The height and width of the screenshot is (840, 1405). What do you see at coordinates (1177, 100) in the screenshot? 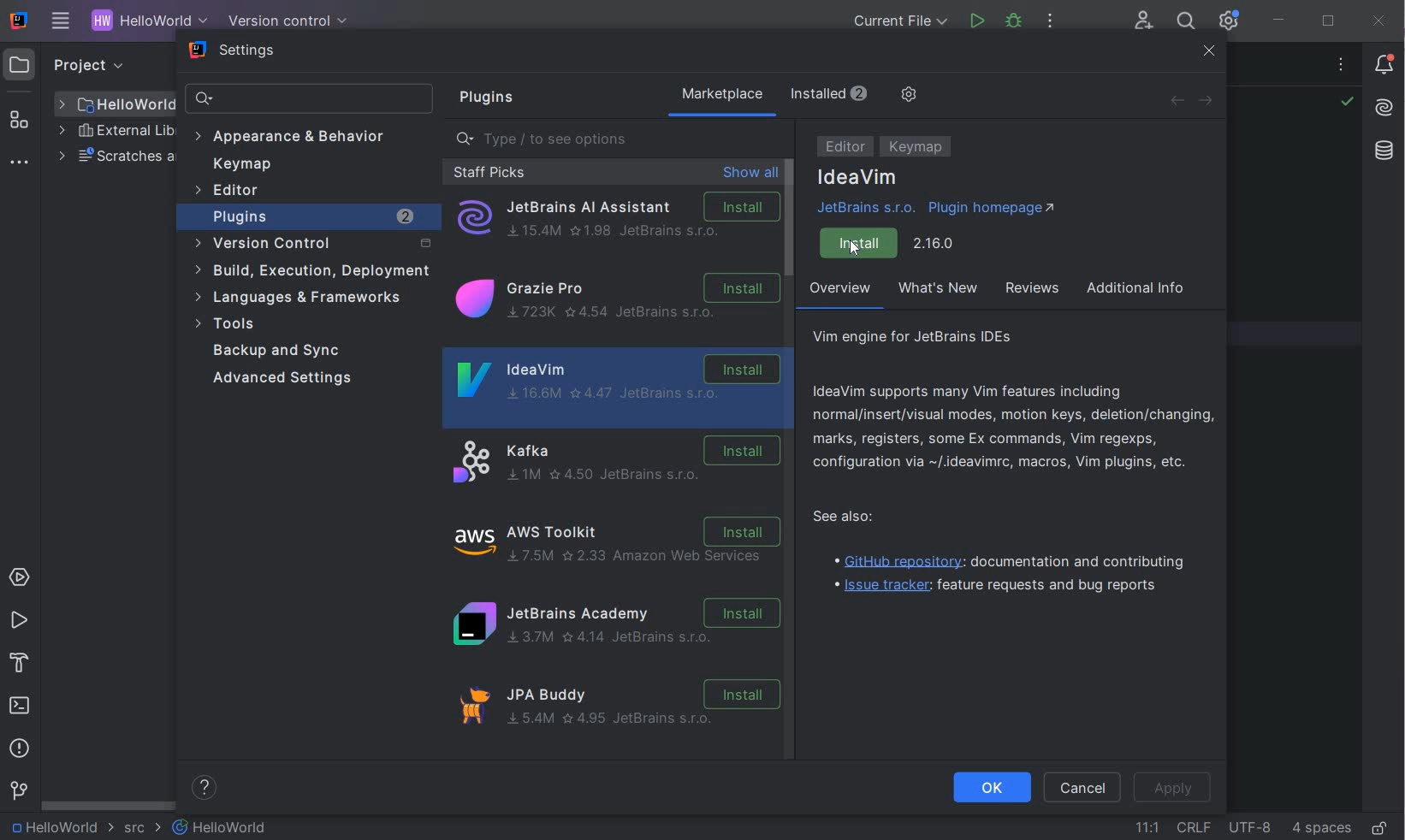
I see `BACK` at bounding box center [1177, 100].